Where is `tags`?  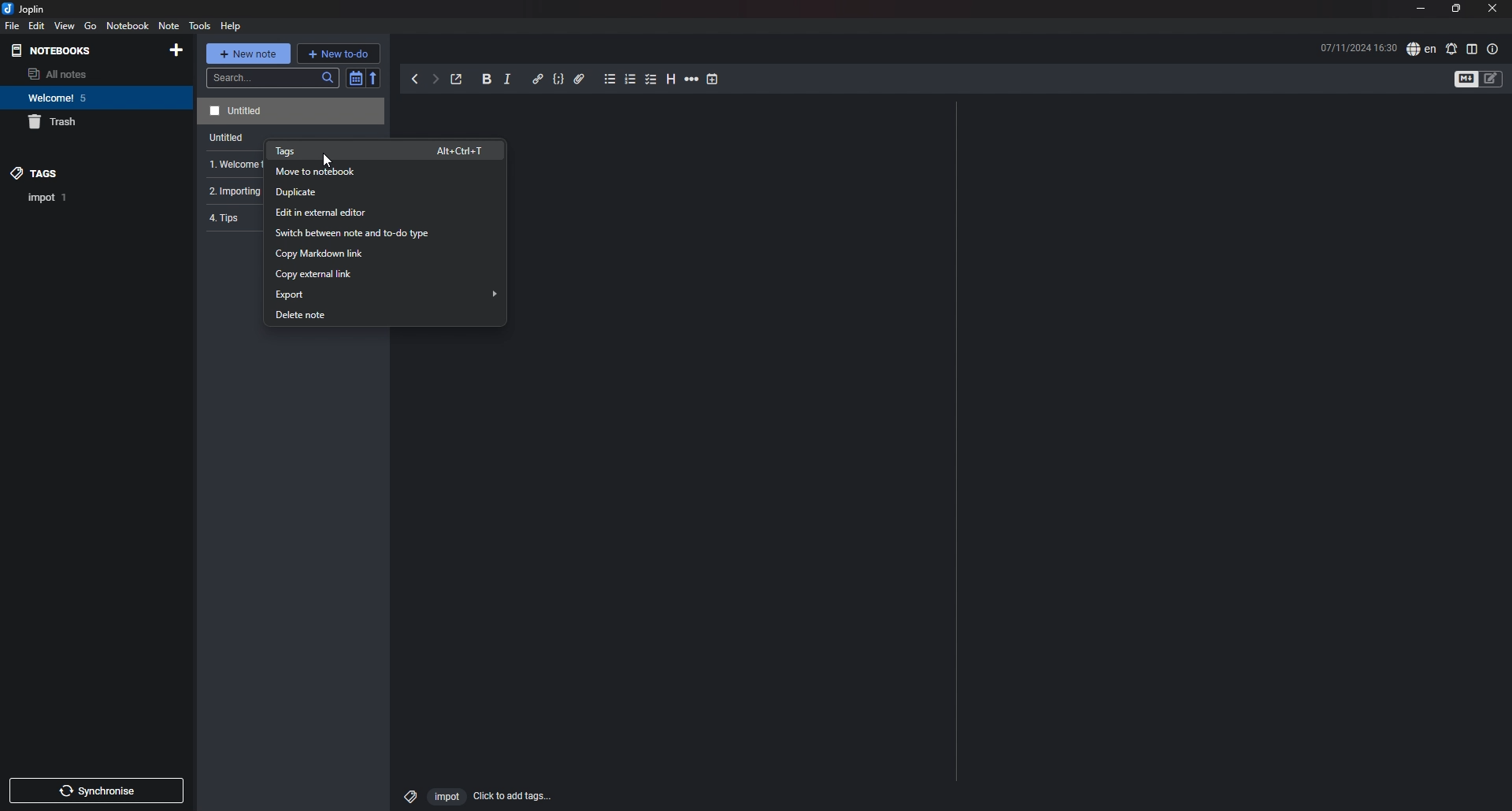 tags is located at coordinates (387, 150).